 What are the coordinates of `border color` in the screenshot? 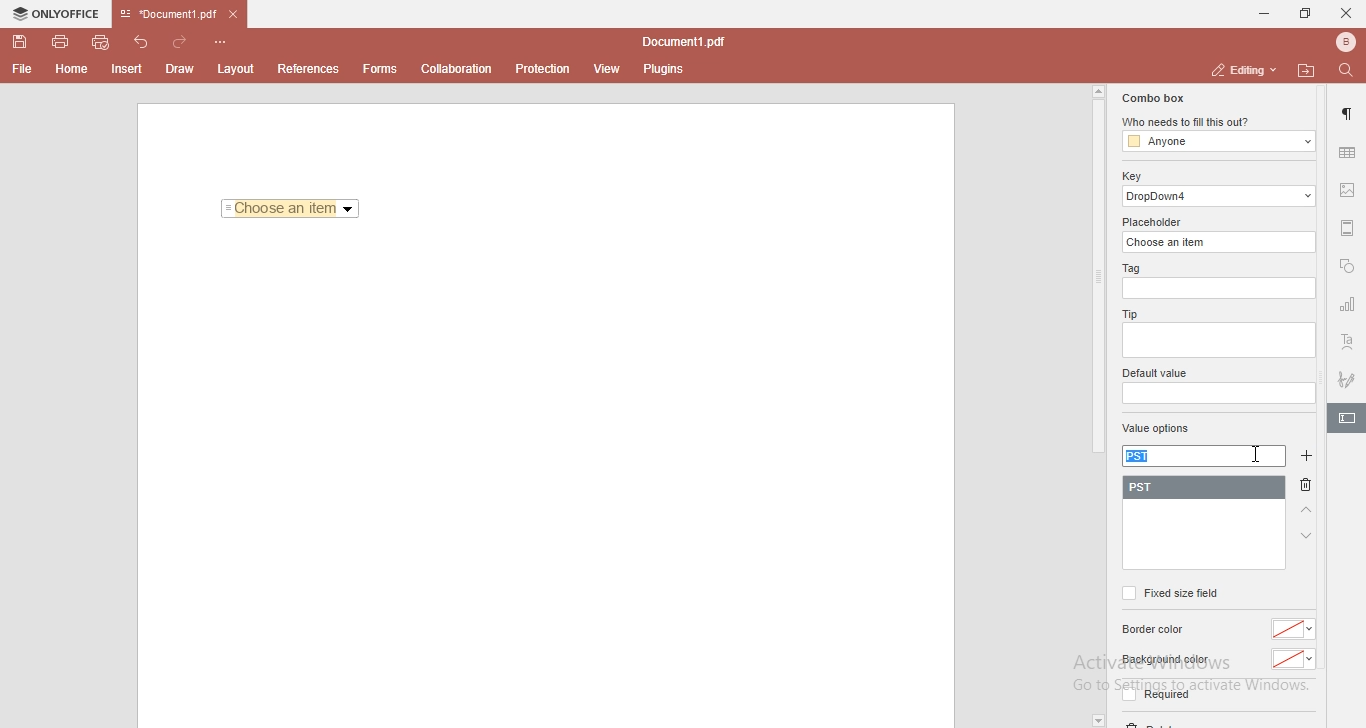 It's located at (1156, 630).